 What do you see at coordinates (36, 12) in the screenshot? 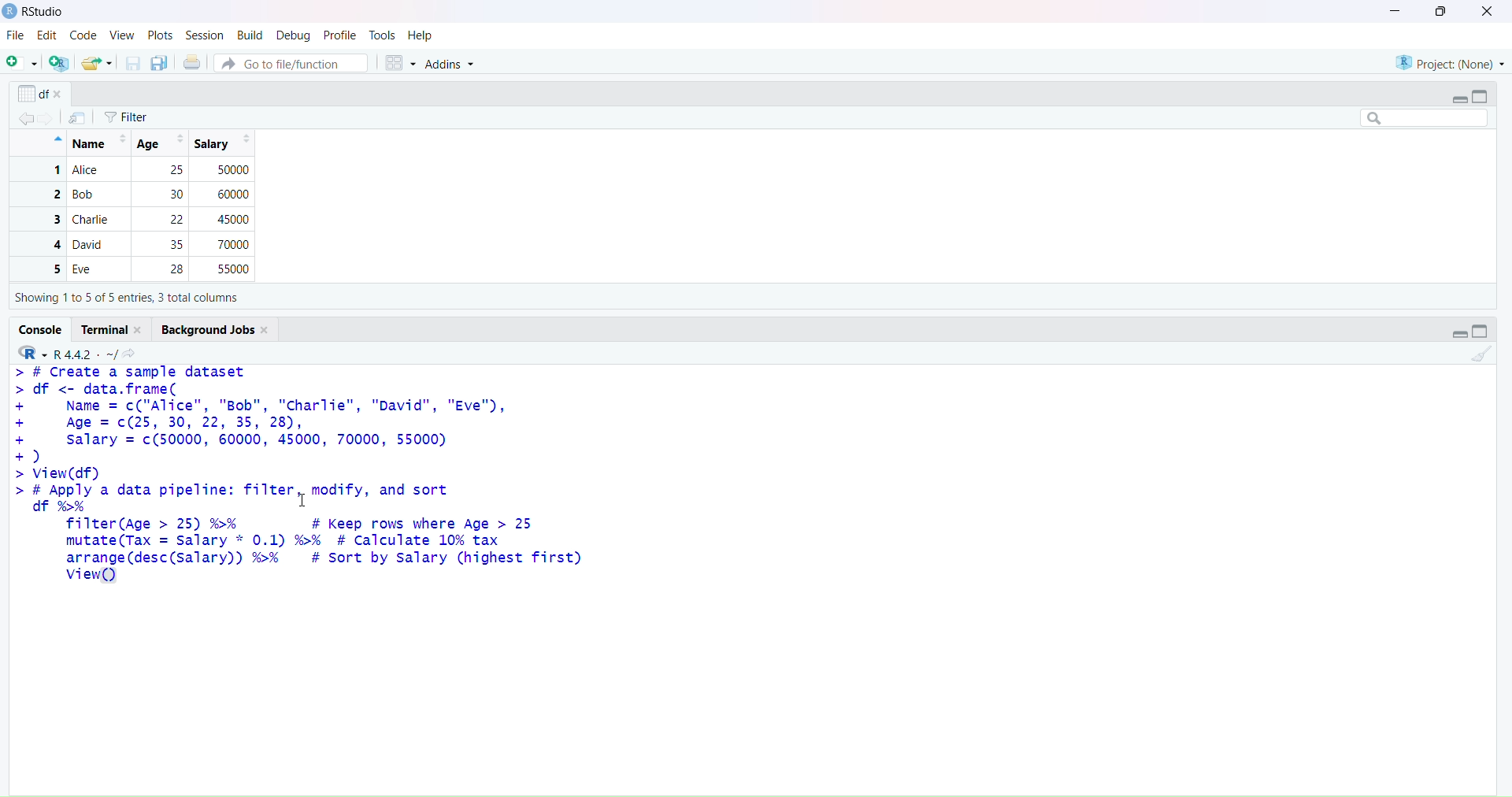
I see `Rstudio` at bounding box center [36, 12].